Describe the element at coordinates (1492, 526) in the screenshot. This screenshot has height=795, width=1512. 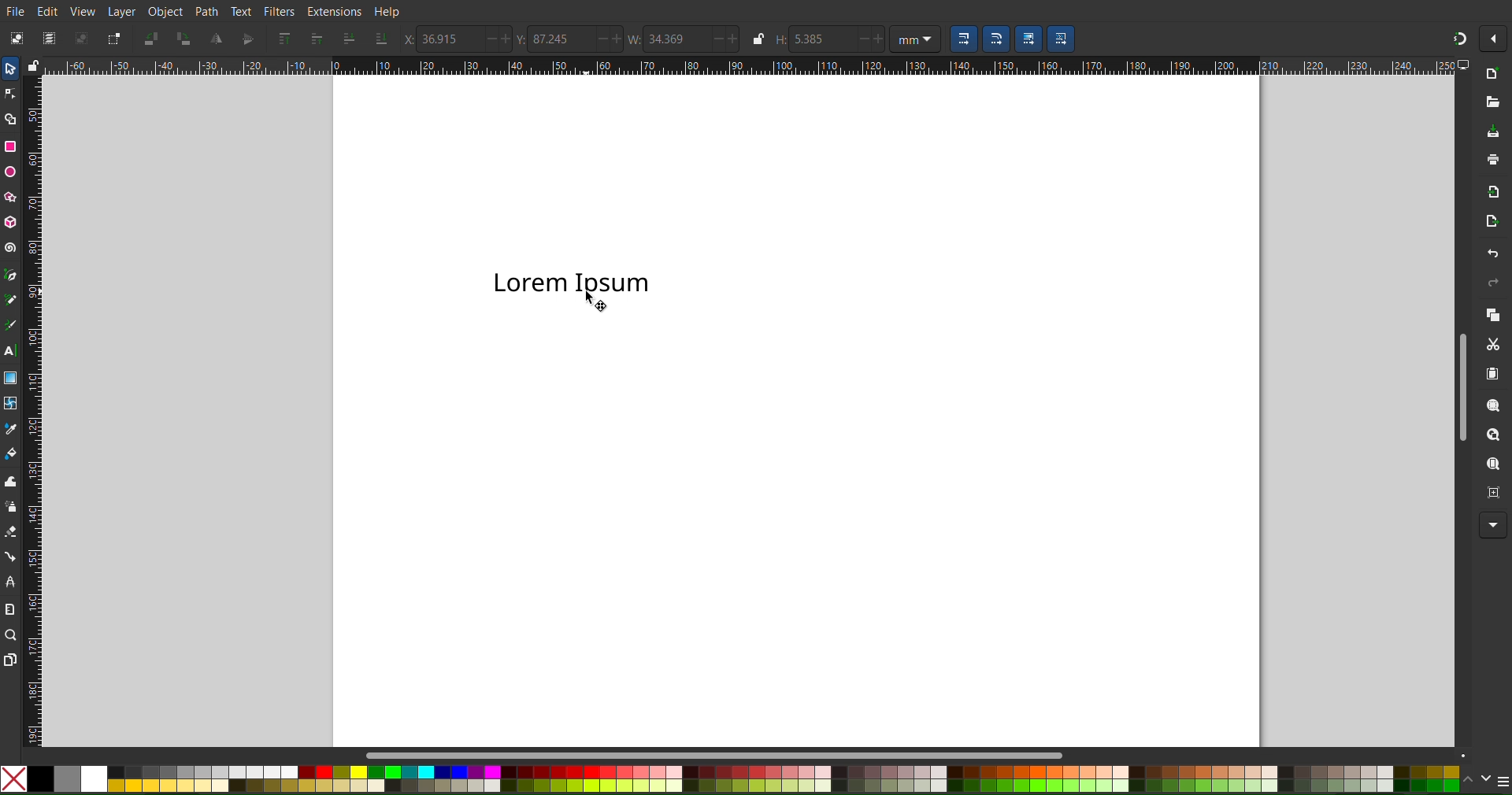
I see `More Options` at that location.